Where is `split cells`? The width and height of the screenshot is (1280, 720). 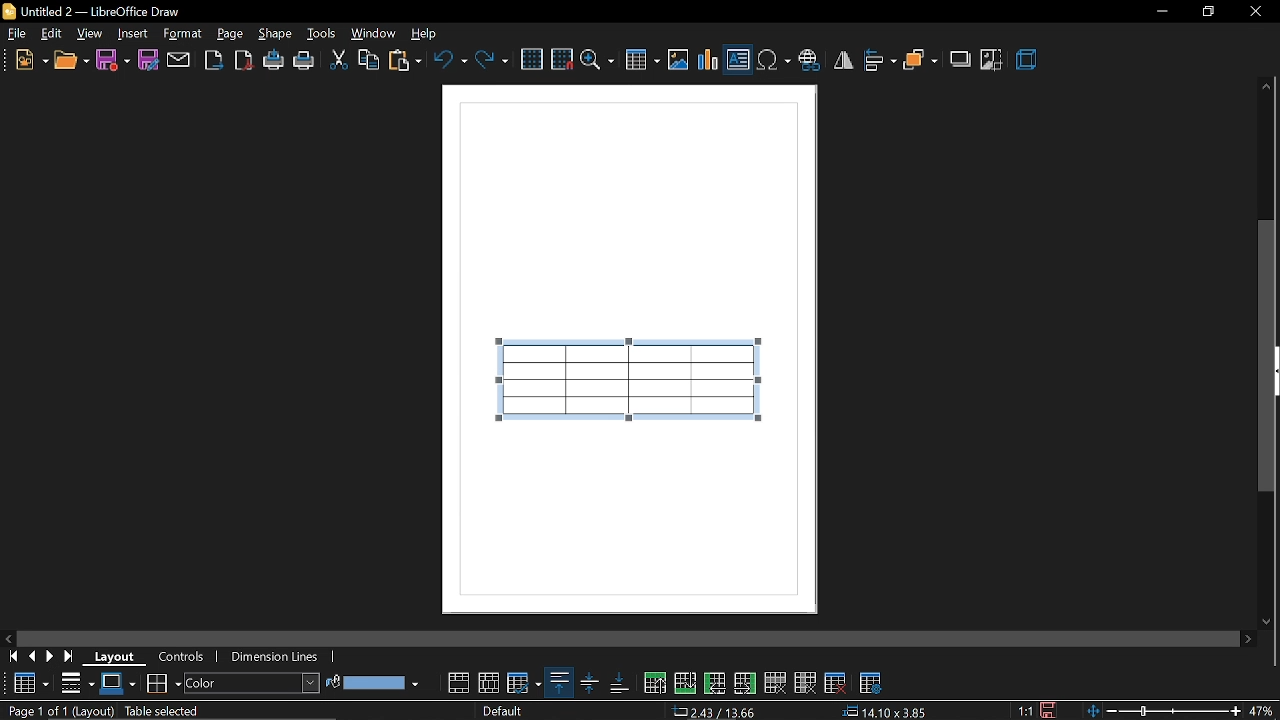 split cells is located at coordinates (490, 683).